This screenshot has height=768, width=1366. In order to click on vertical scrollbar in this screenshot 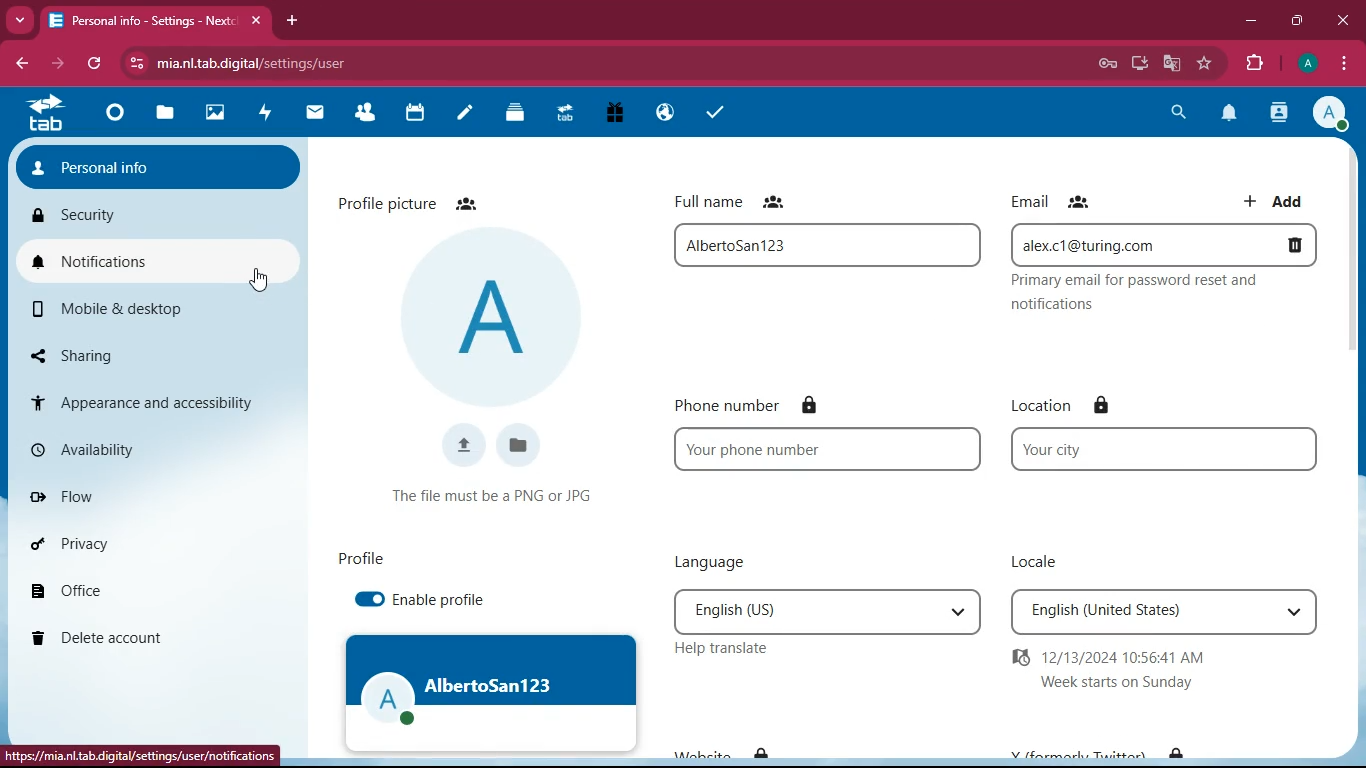, I will do `click(1354, 316)`.